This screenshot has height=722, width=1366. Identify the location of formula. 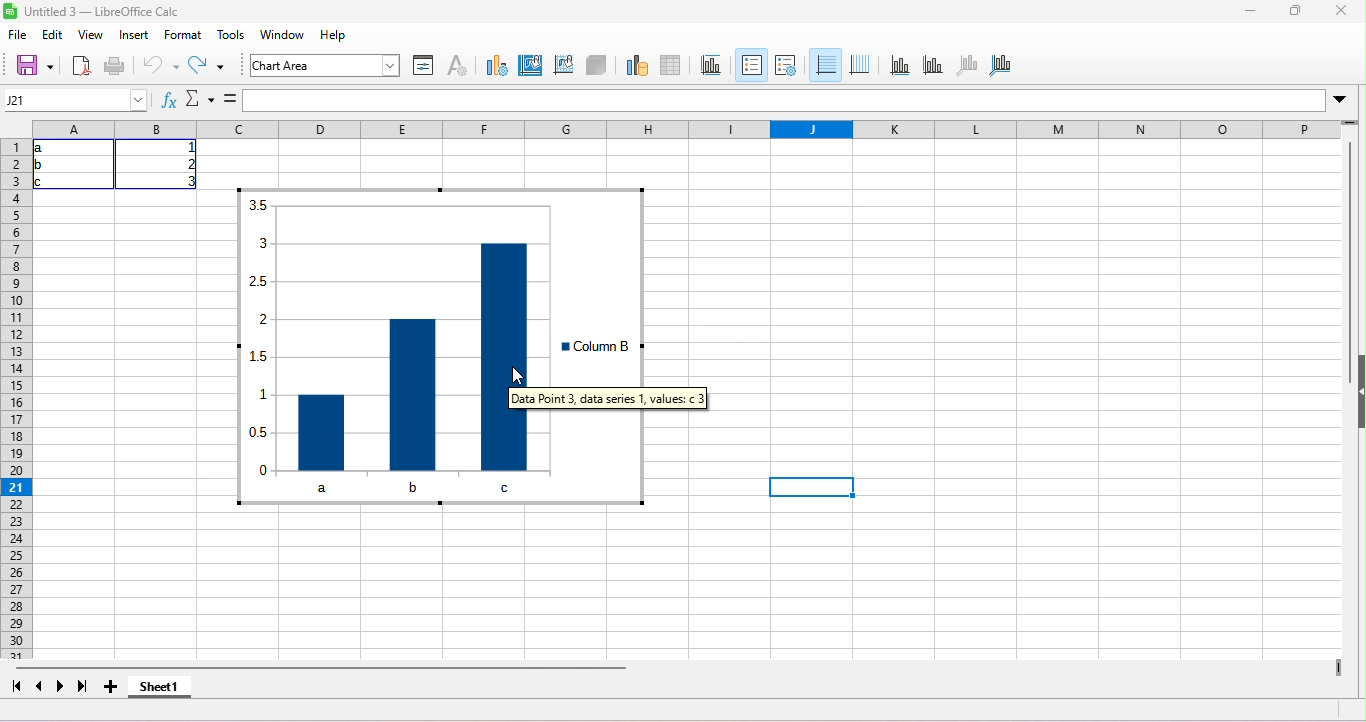
(228, 96).